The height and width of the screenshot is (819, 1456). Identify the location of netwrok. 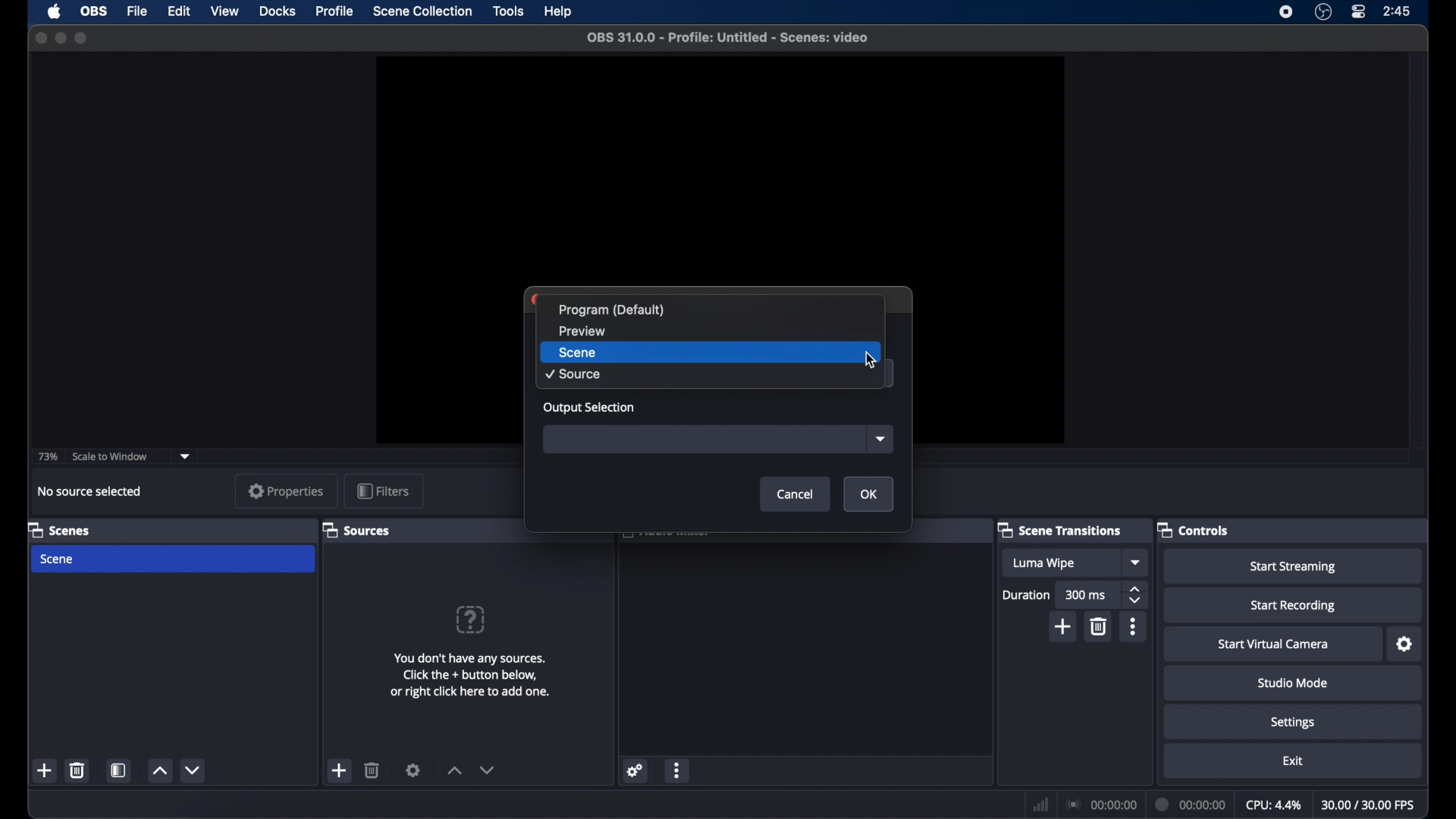
(1040, 804).